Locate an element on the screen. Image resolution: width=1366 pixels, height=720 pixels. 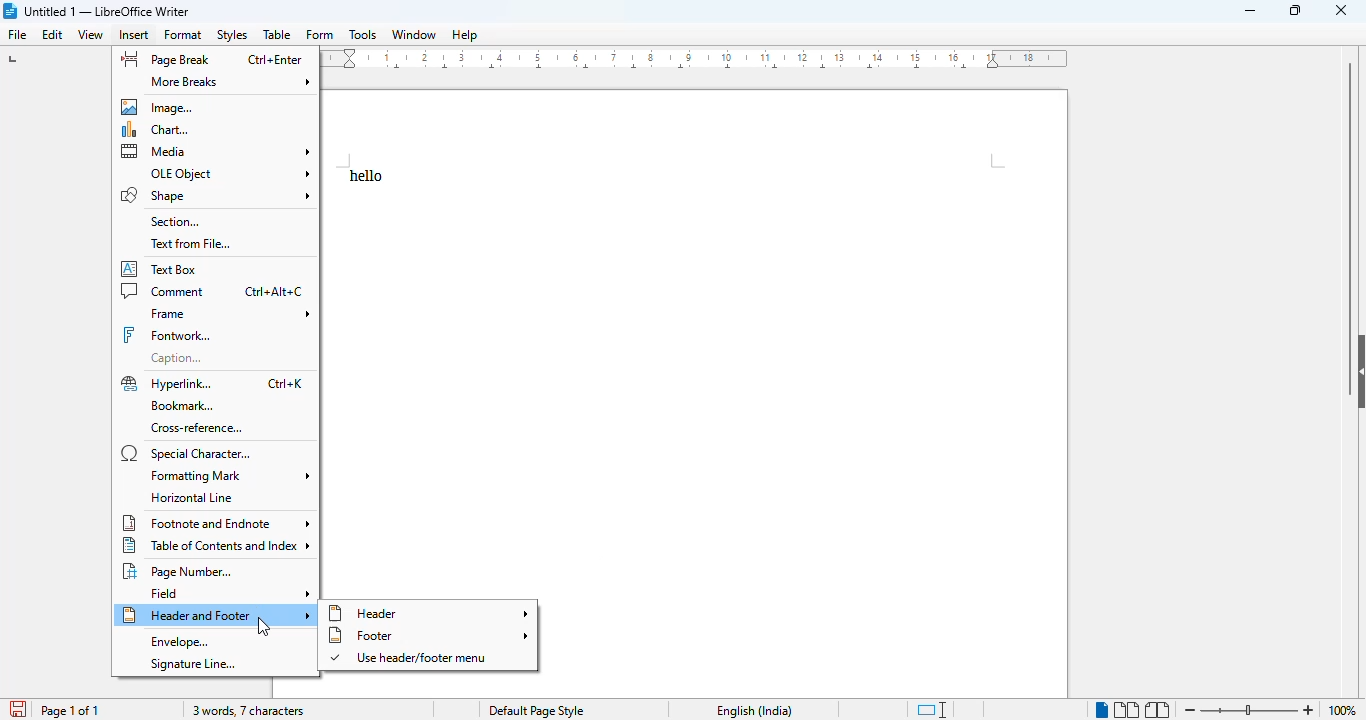
media is located at coordinates (217, 151).